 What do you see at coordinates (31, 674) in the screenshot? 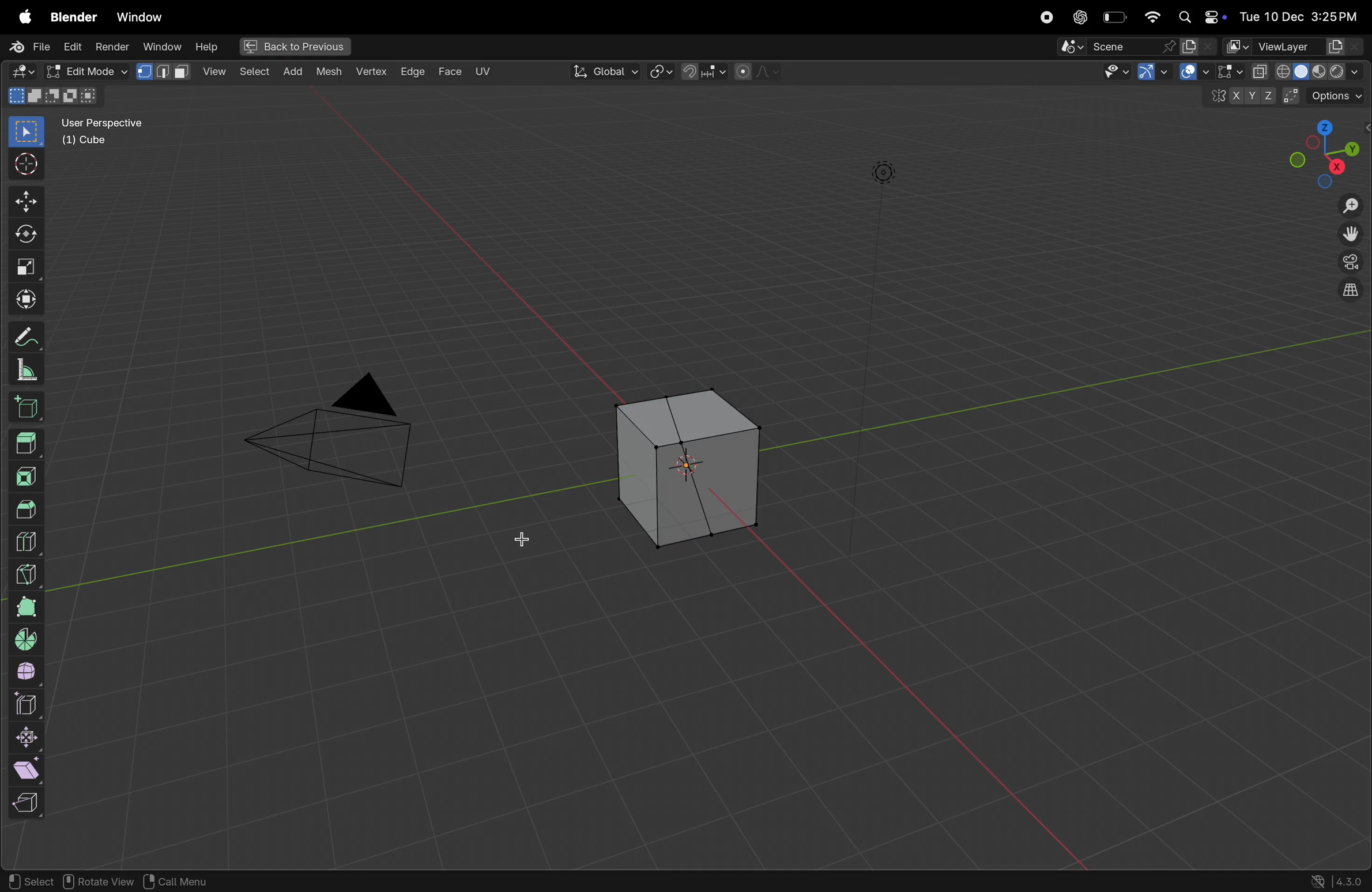
I see `smooth edge` at bounding box center [31, 674].